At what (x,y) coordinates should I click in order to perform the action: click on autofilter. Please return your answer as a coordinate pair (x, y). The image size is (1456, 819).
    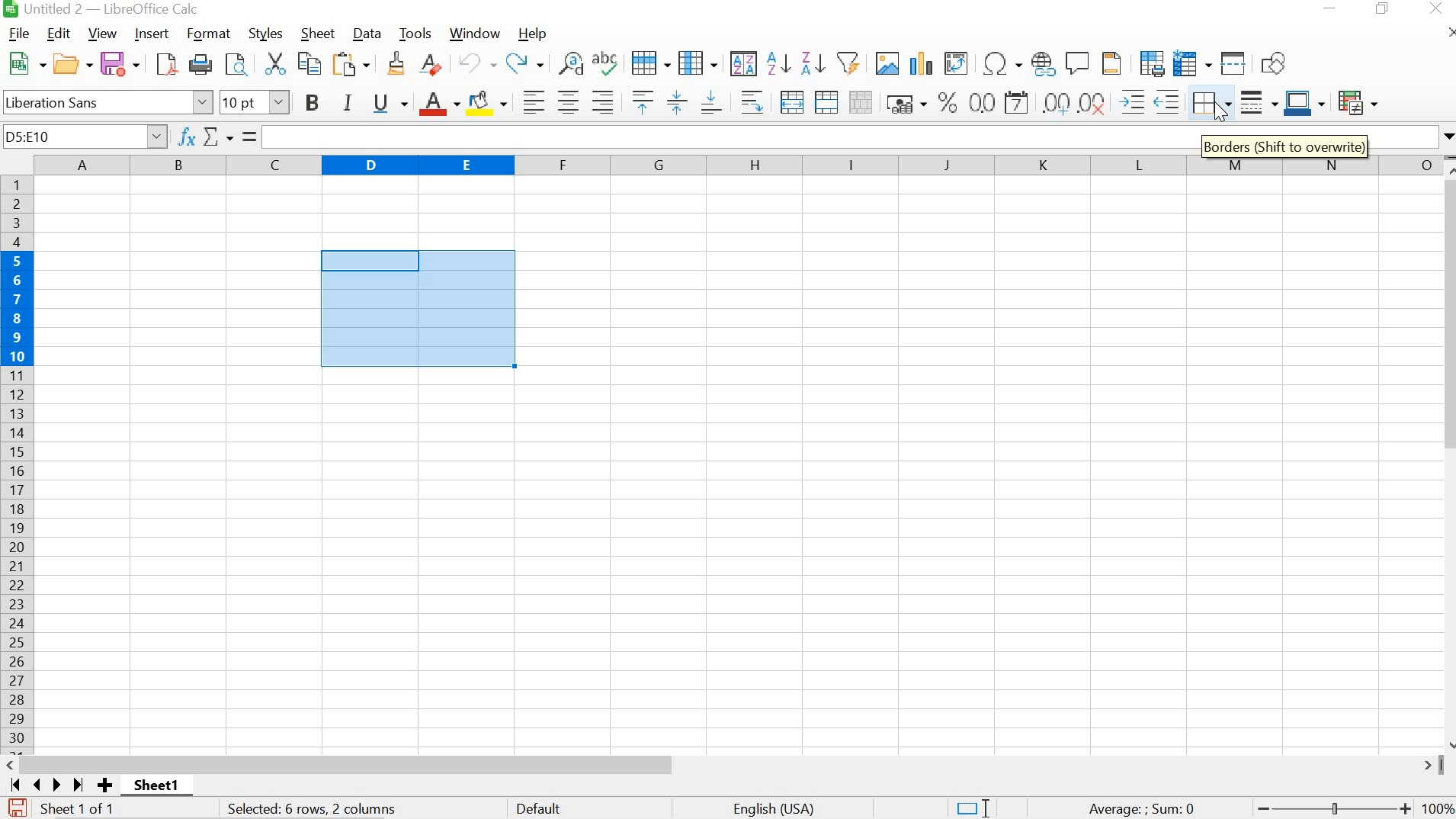
    Looking at the image, I should click on (851, 63).